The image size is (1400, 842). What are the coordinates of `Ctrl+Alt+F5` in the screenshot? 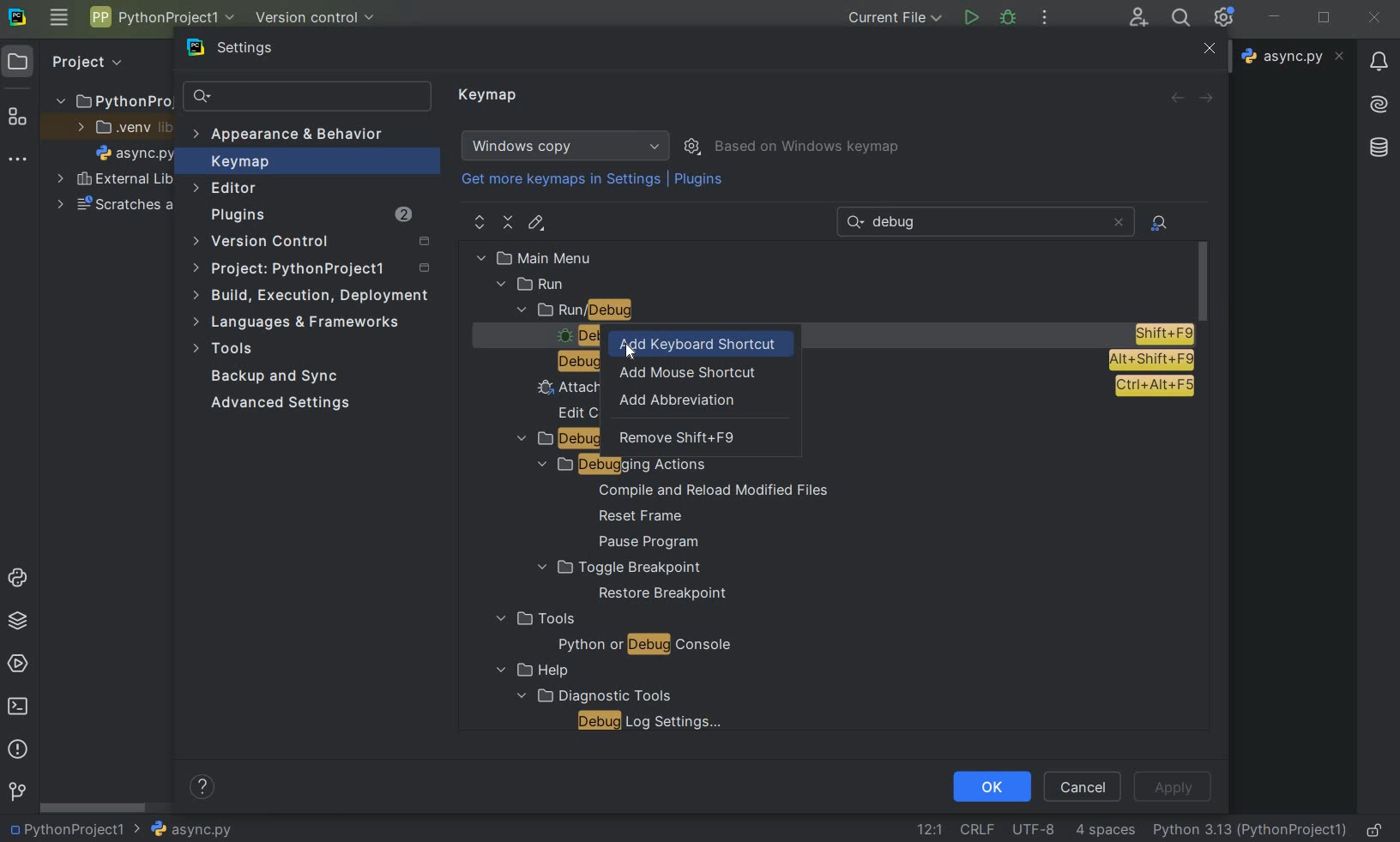 It's located at (1154, 387).